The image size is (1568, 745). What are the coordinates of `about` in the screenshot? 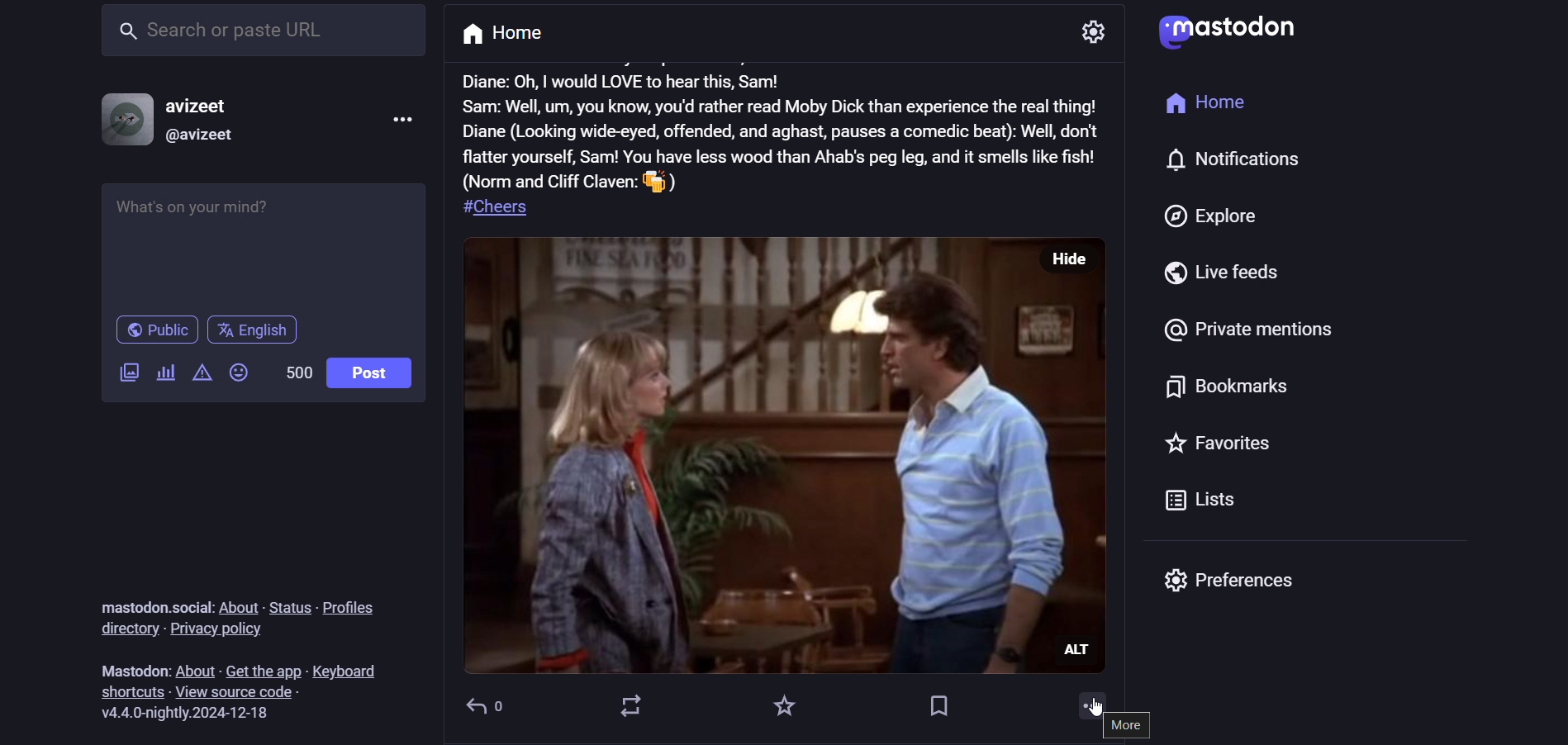 It's located at (240, 600).